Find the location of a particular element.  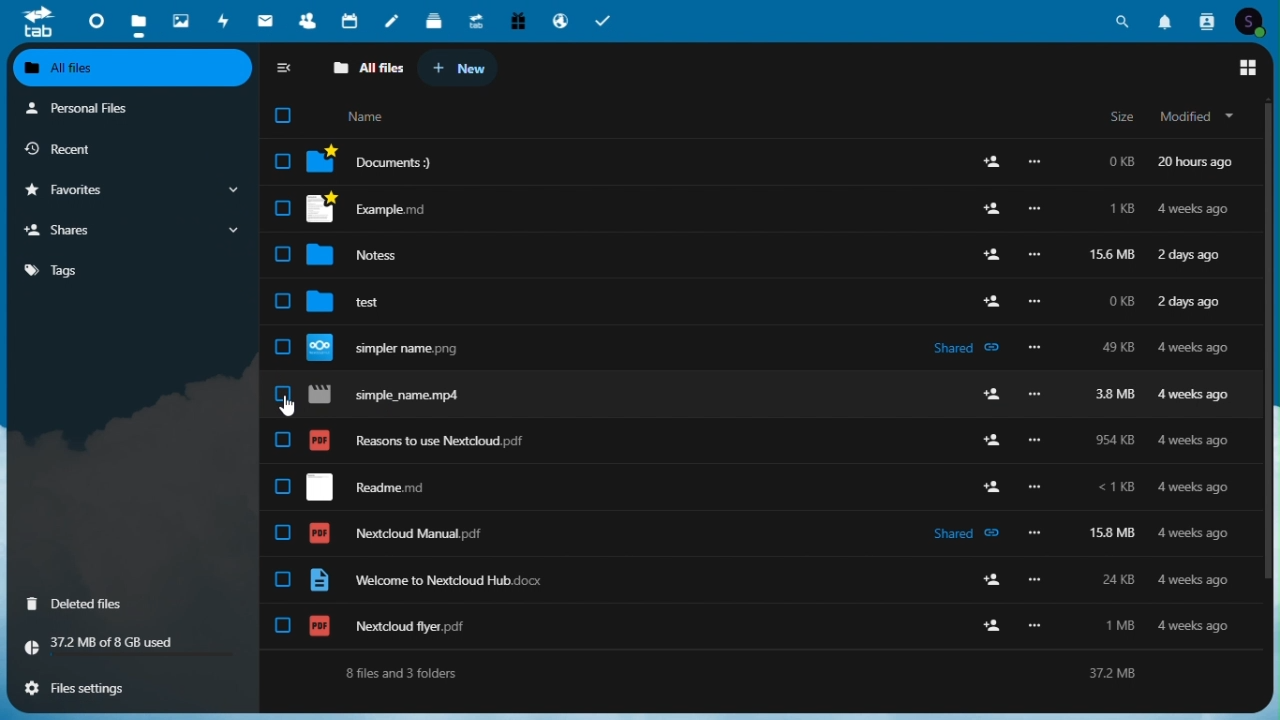

Files is located at coordinates (136, 21).